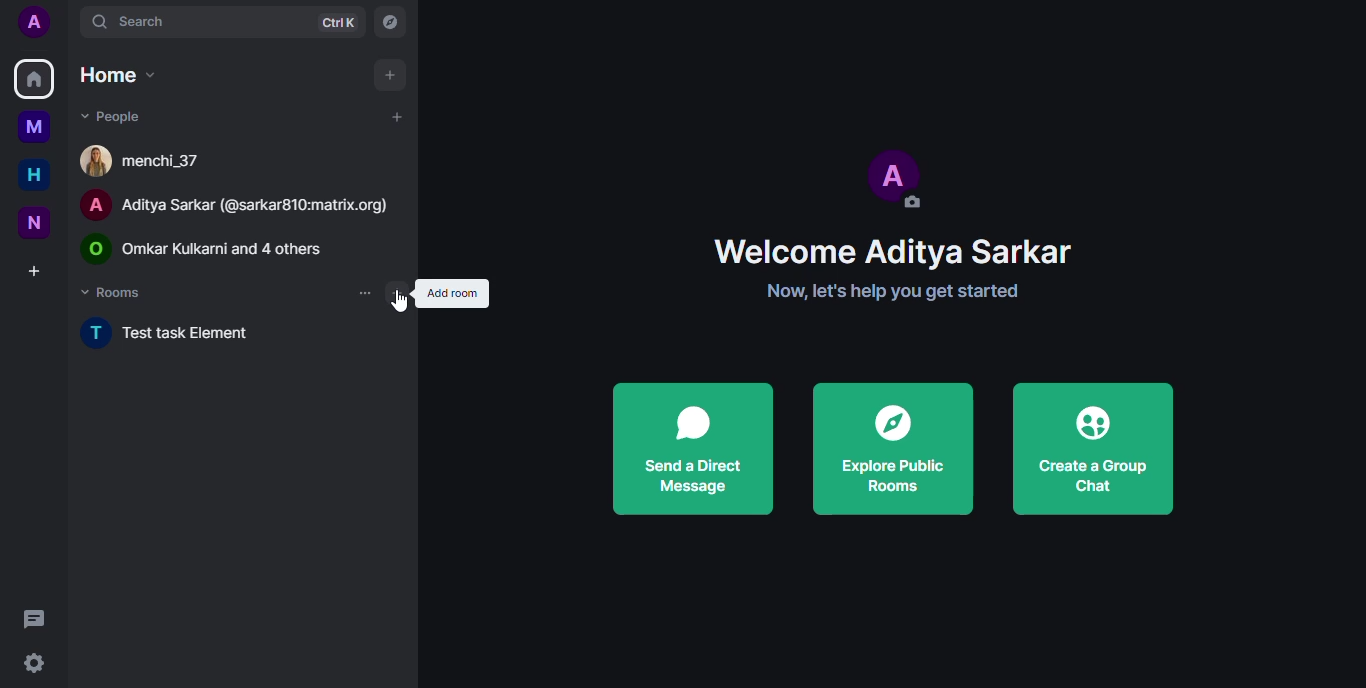  I want to click on create a group chat, so click(1093, 450).